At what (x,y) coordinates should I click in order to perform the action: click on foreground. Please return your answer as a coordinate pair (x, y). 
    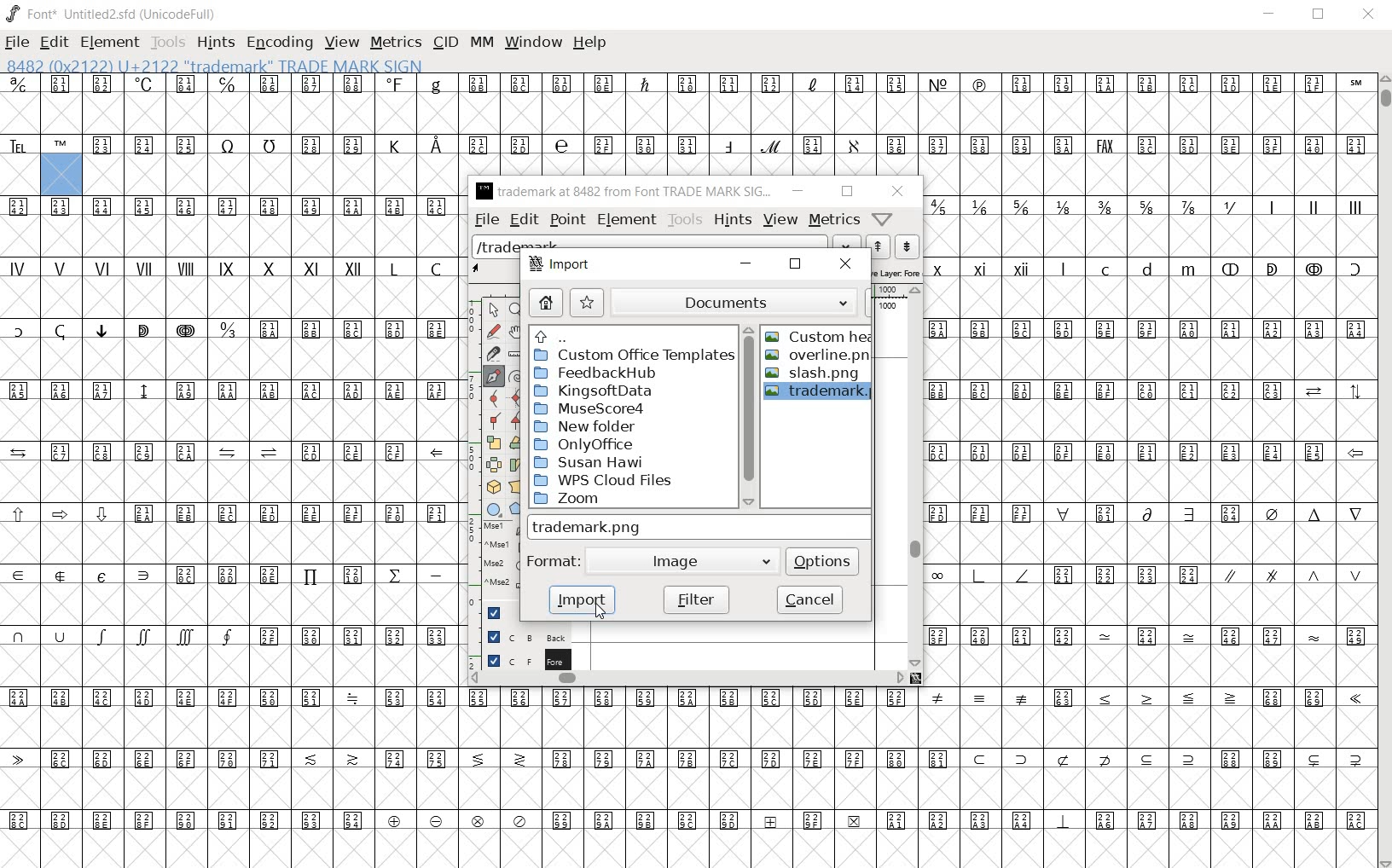
    Looking at the image, I should click on (522, 658).